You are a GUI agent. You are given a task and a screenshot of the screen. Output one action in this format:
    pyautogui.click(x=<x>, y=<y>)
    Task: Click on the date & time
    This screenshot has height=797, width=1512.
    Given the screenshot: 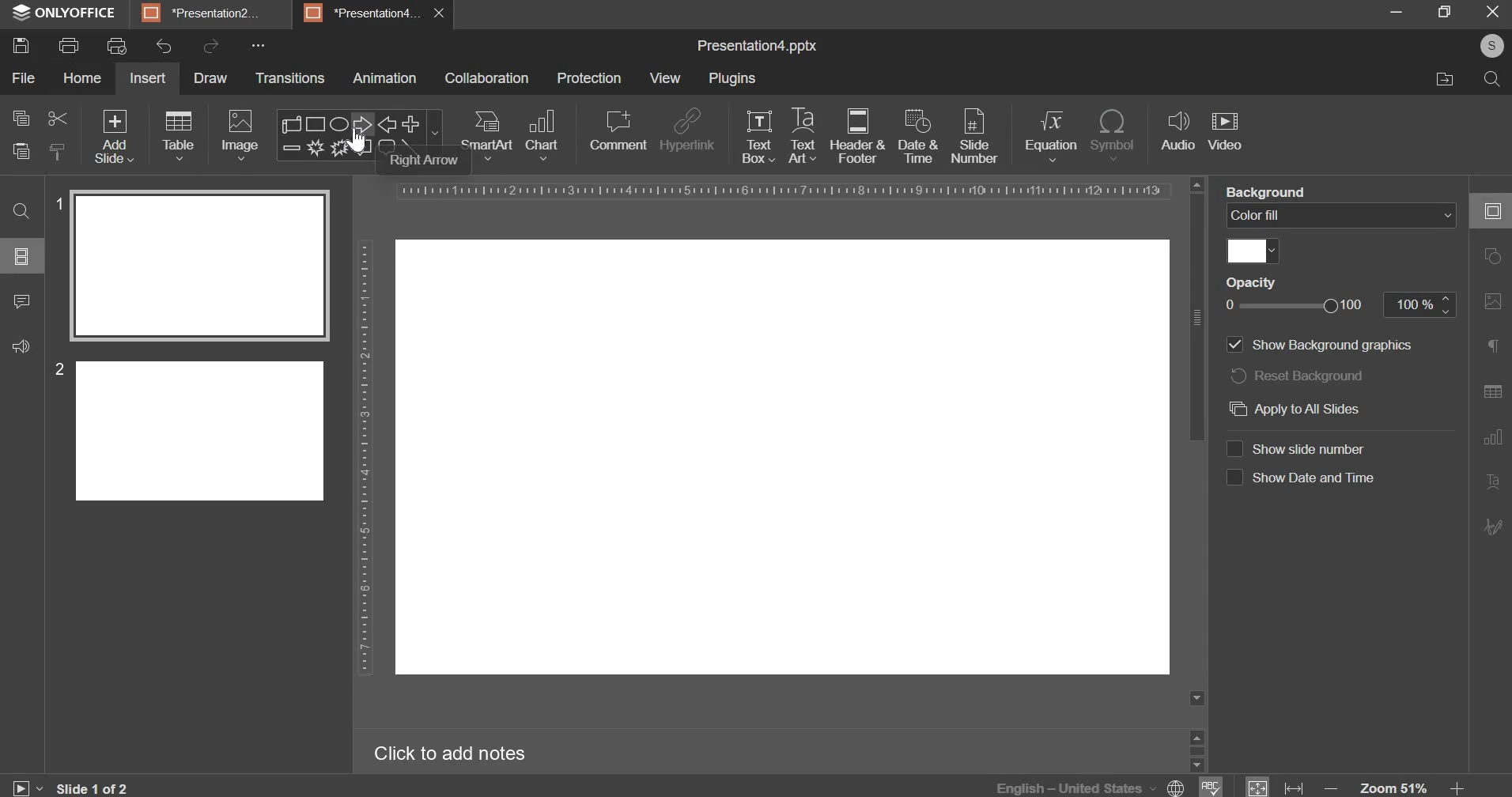 What is the action you would take?
    pyautogui.click(x=920, y=138)
    